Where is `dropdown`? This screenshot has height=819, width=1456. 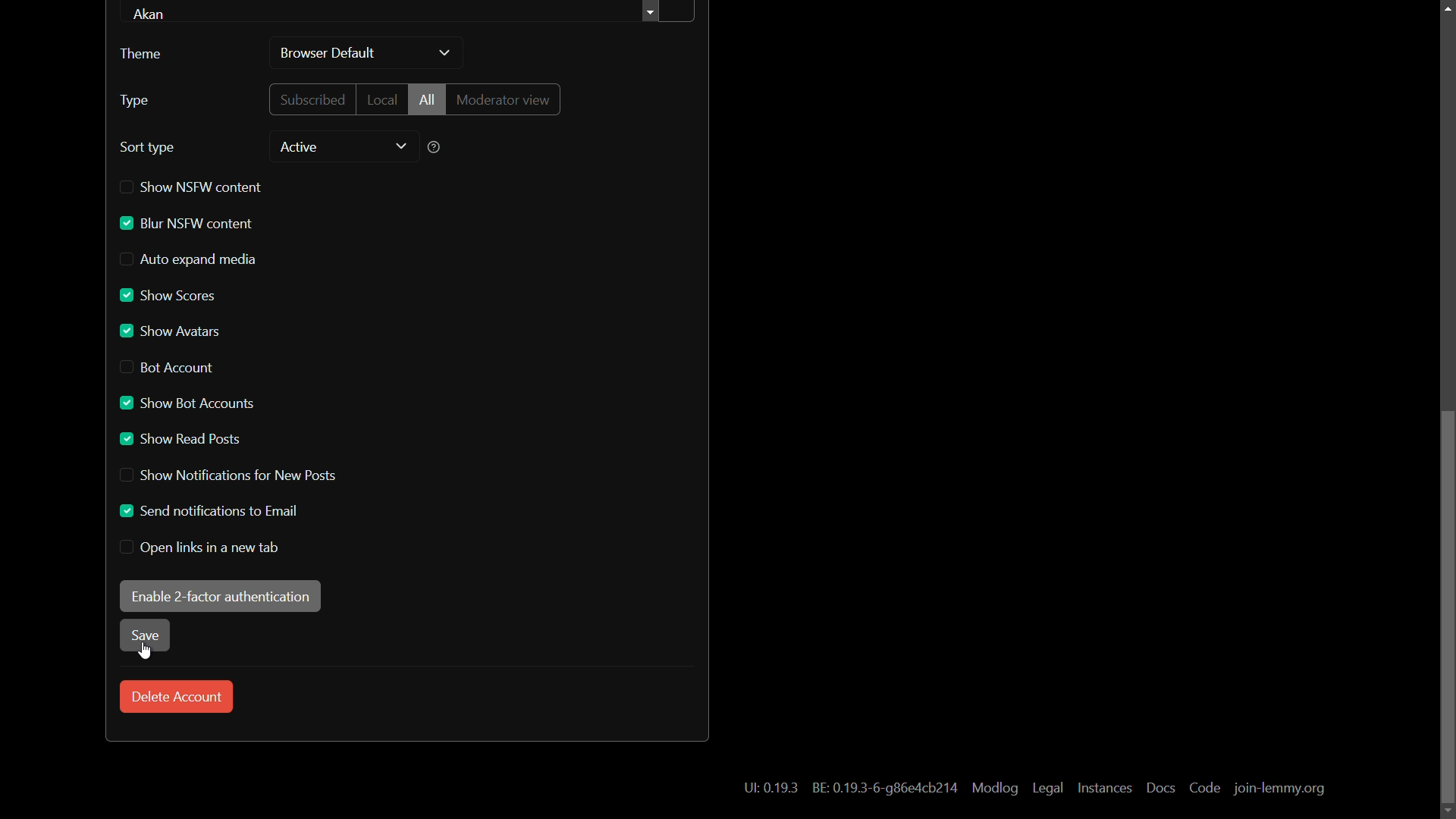
dropdown is located at coordinates (401, 147).